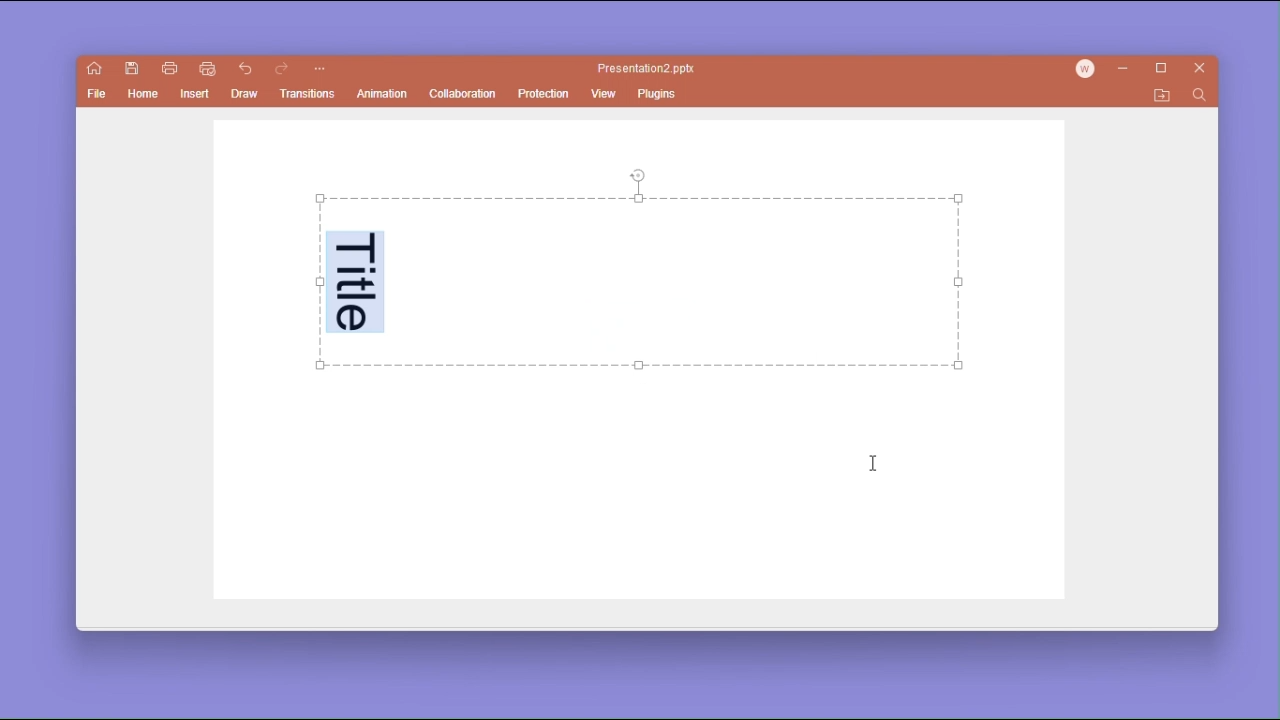 The height and width of the screenshot is (720, 1280). I want to click on maximize, so click(1165, 69).